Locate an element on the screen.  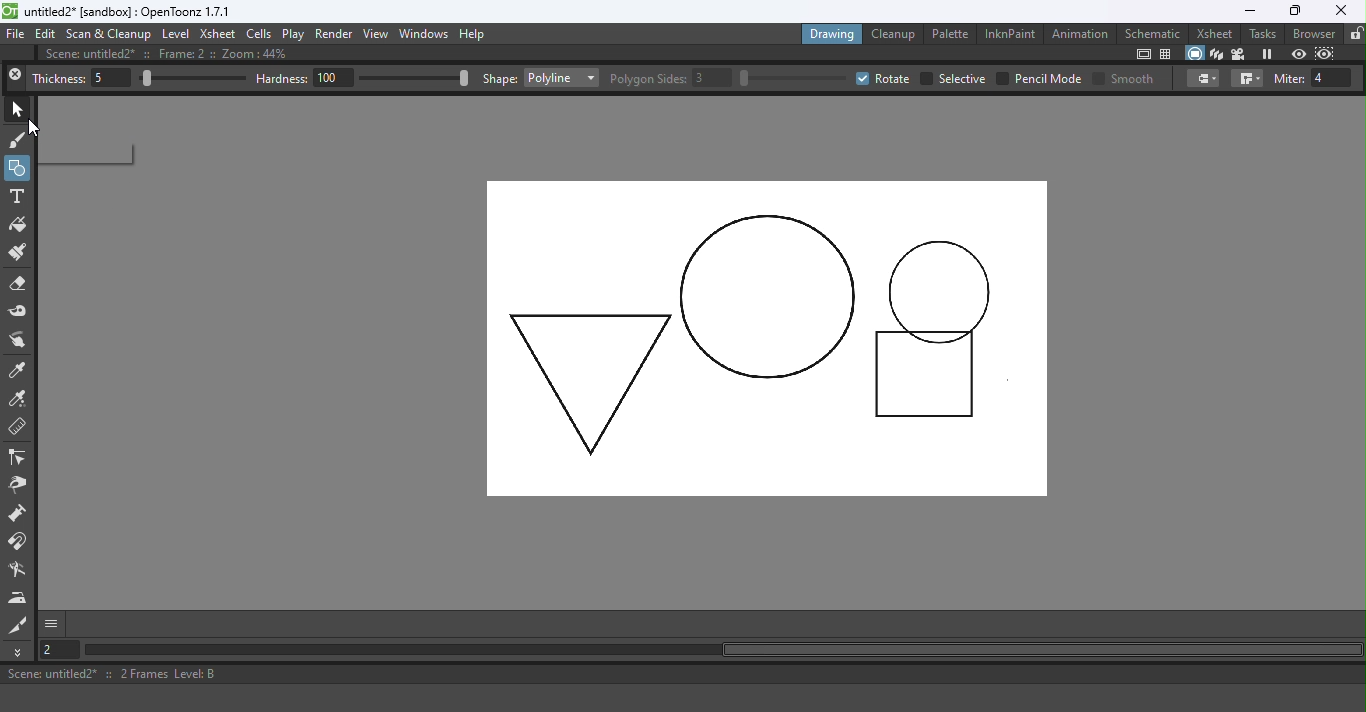
Edit is located at coordinates (46, 35).